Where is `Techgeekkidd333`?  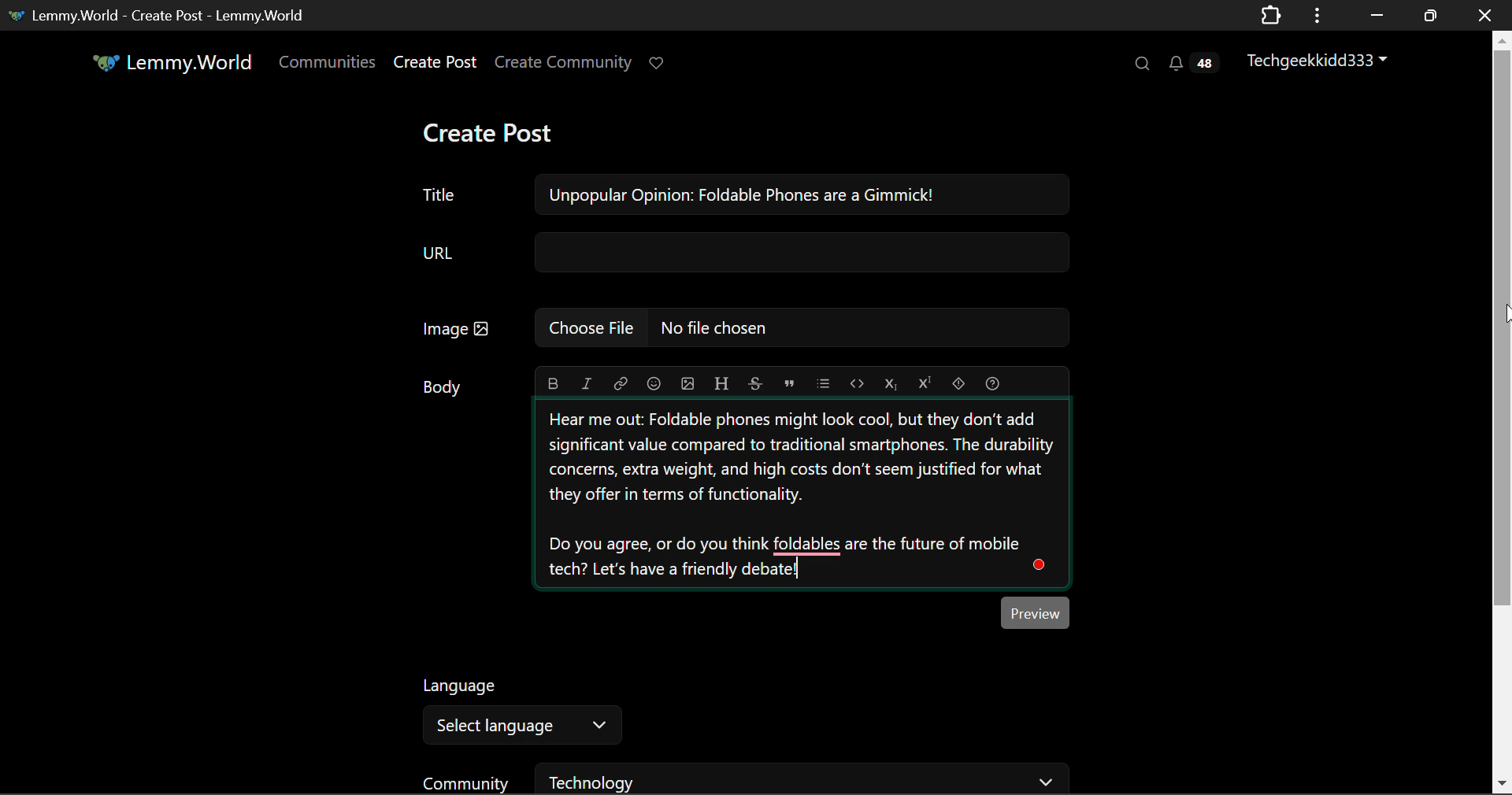 Techgeekkidd333 is located at coordinates (1324, 59).